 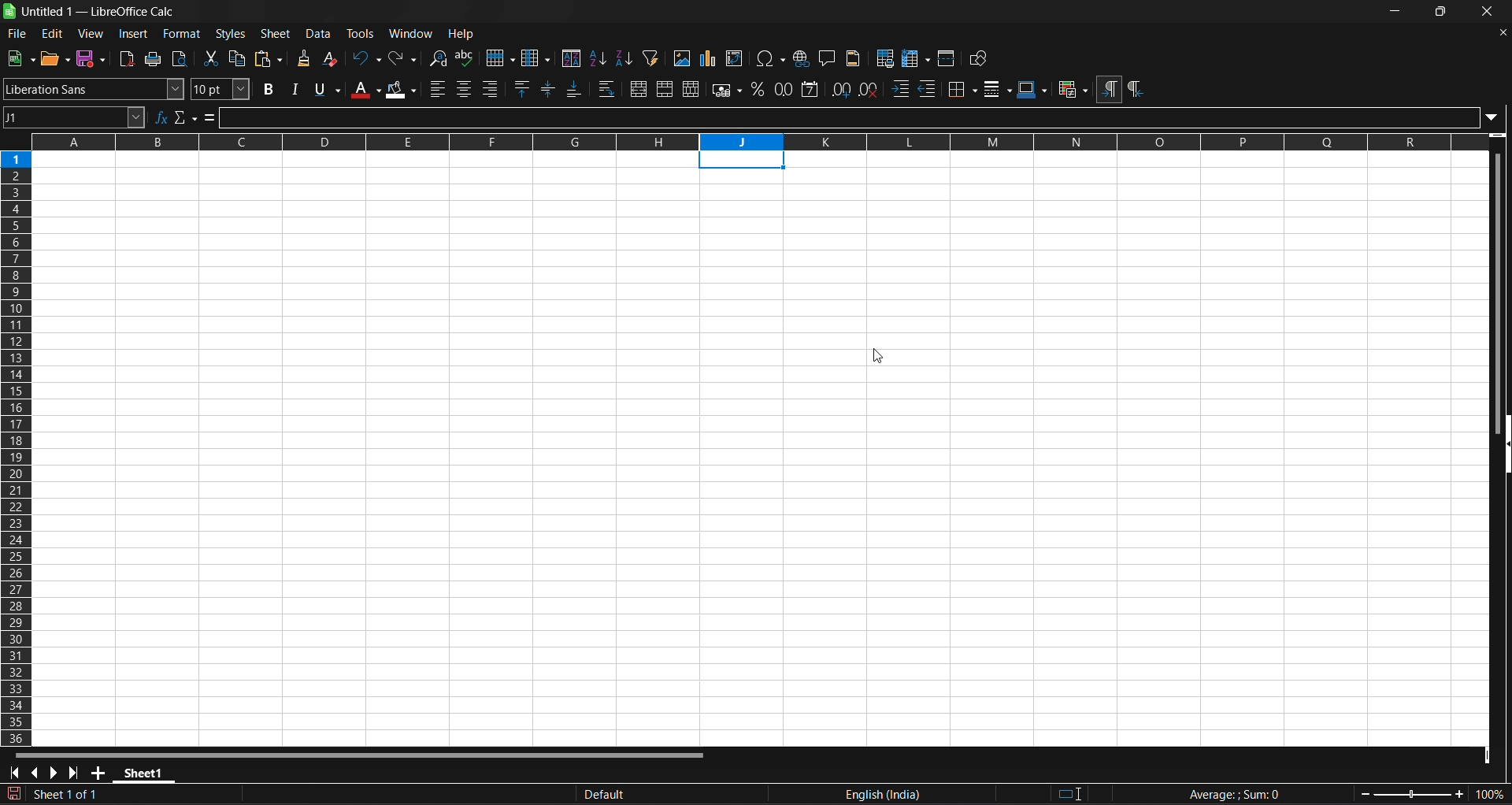 I want to click on increase indent, so click(x=900, y=87).